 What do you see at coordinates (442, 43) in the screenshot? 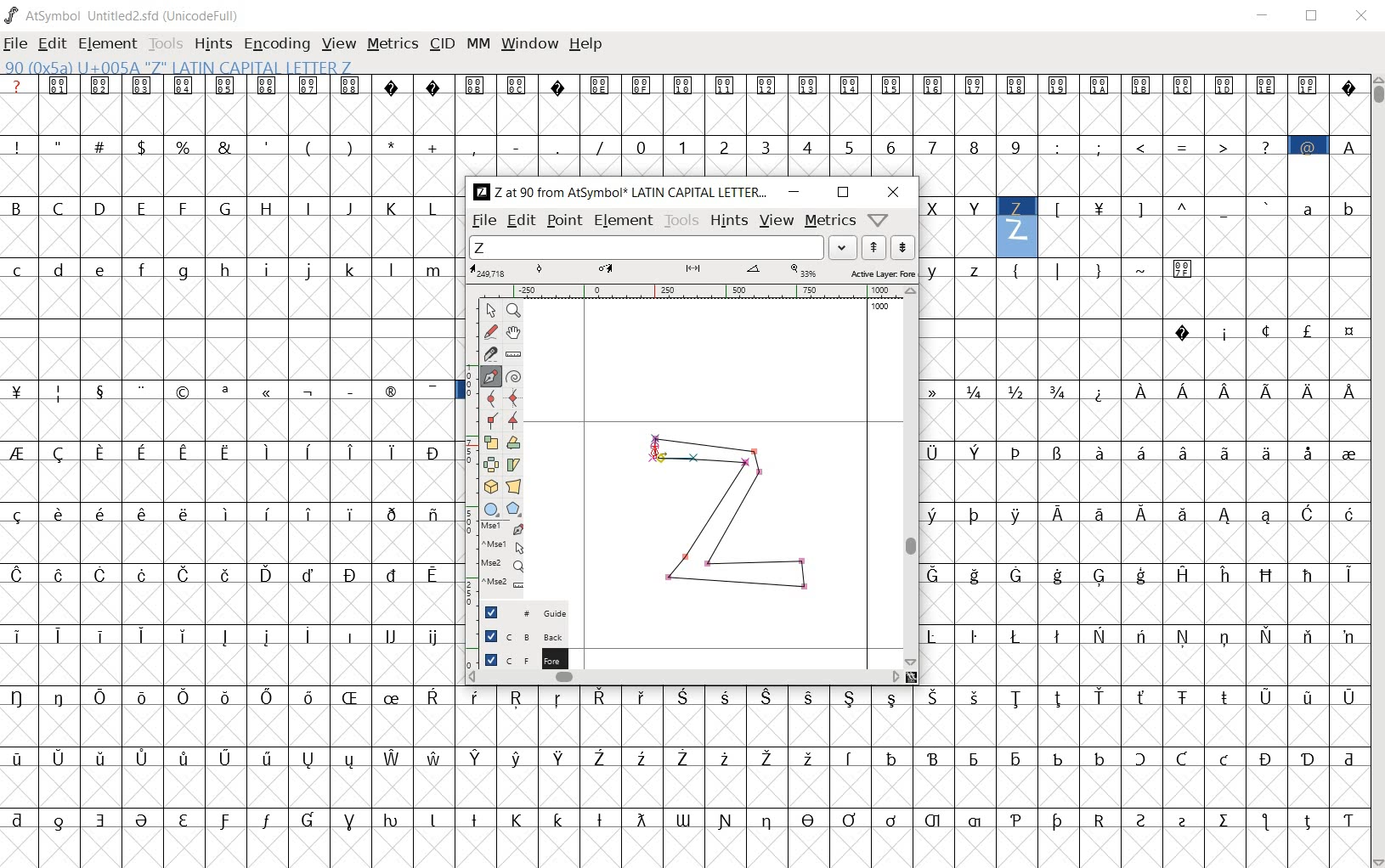
I see `cid` at bounding box center [442, 43].